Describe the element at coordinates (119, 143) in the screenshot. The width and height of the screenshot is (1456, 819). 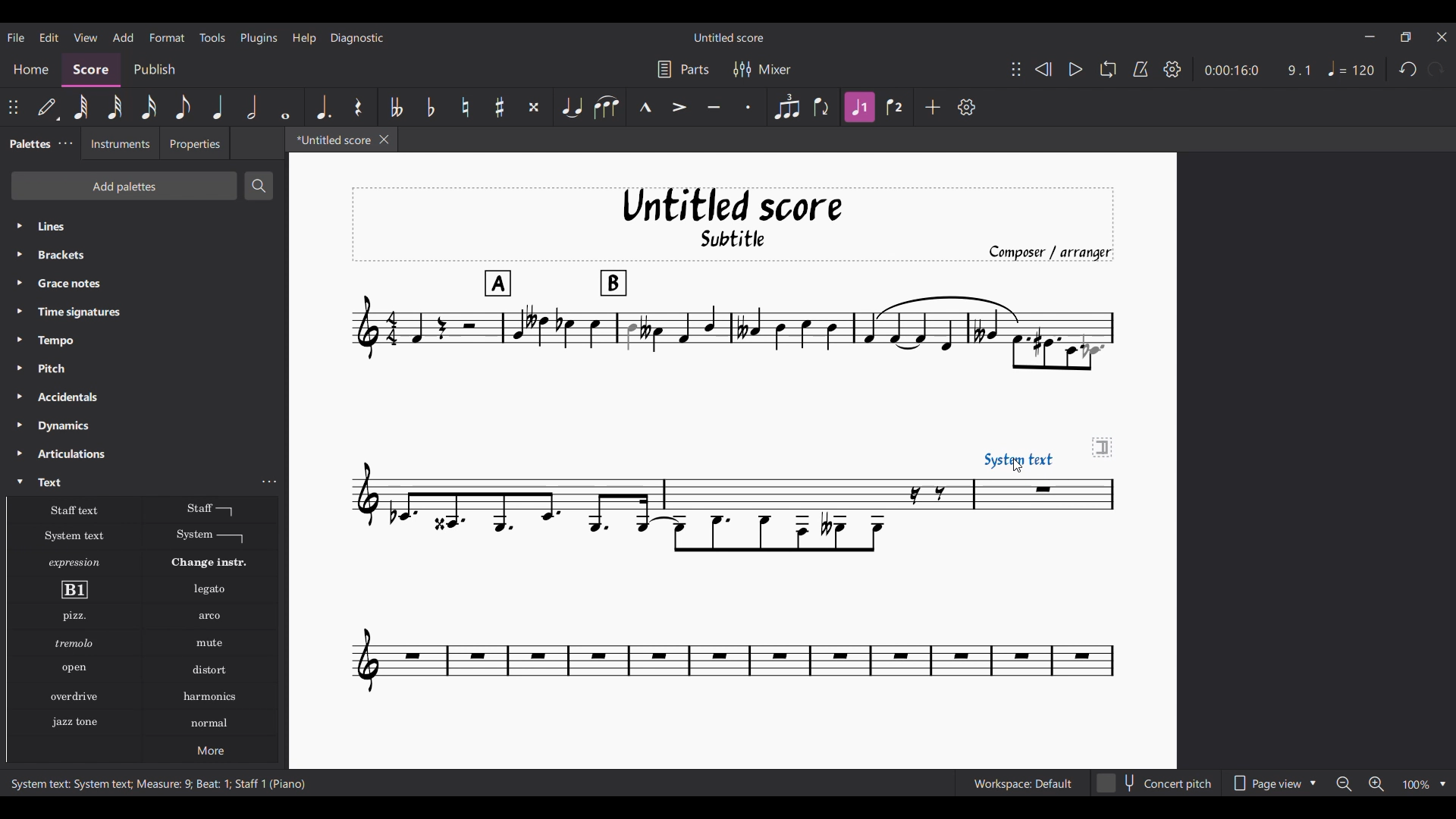
I see `Instruments` at that location.